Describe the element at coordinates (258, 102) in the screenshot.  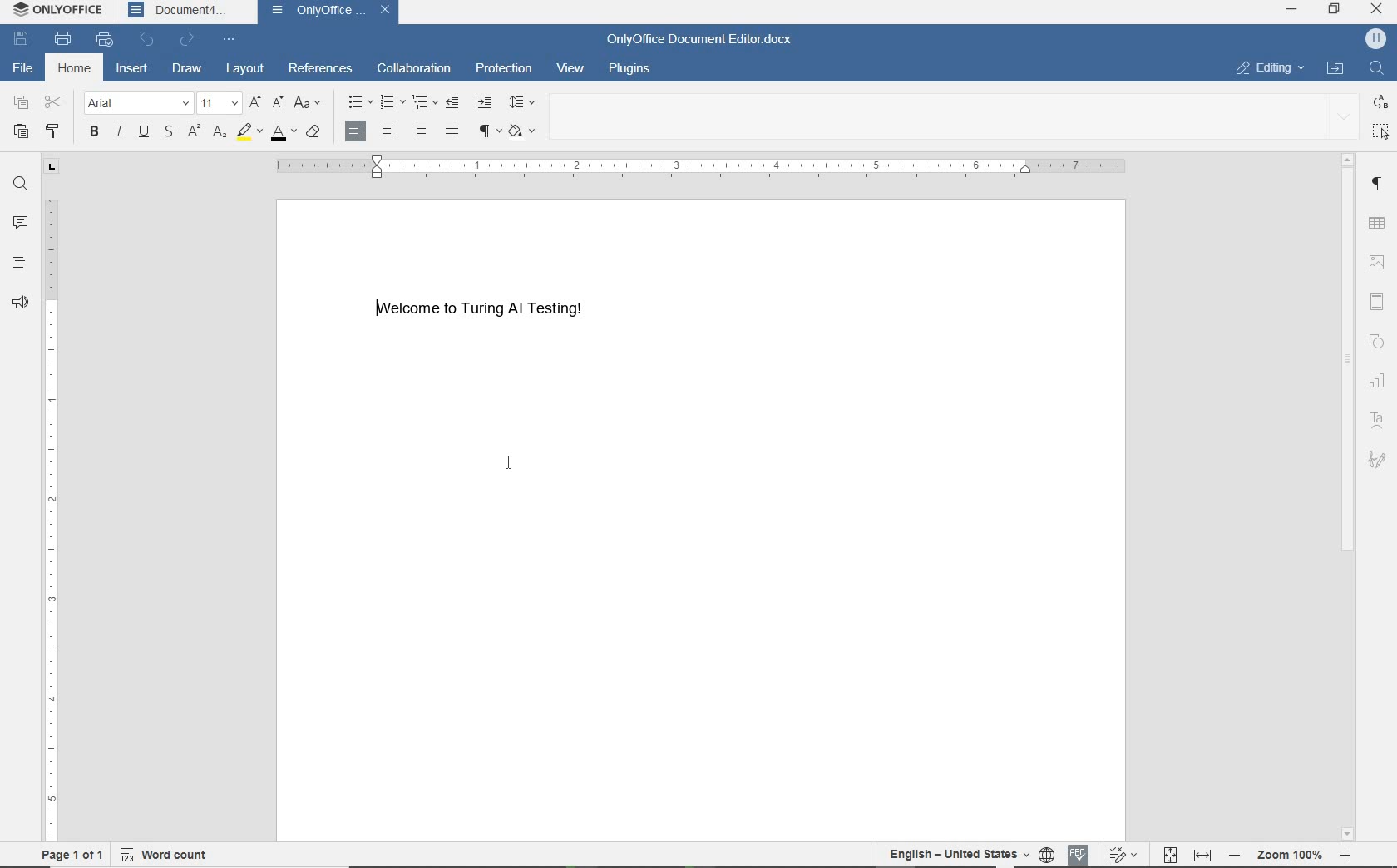
I see `increment font size` at that location.